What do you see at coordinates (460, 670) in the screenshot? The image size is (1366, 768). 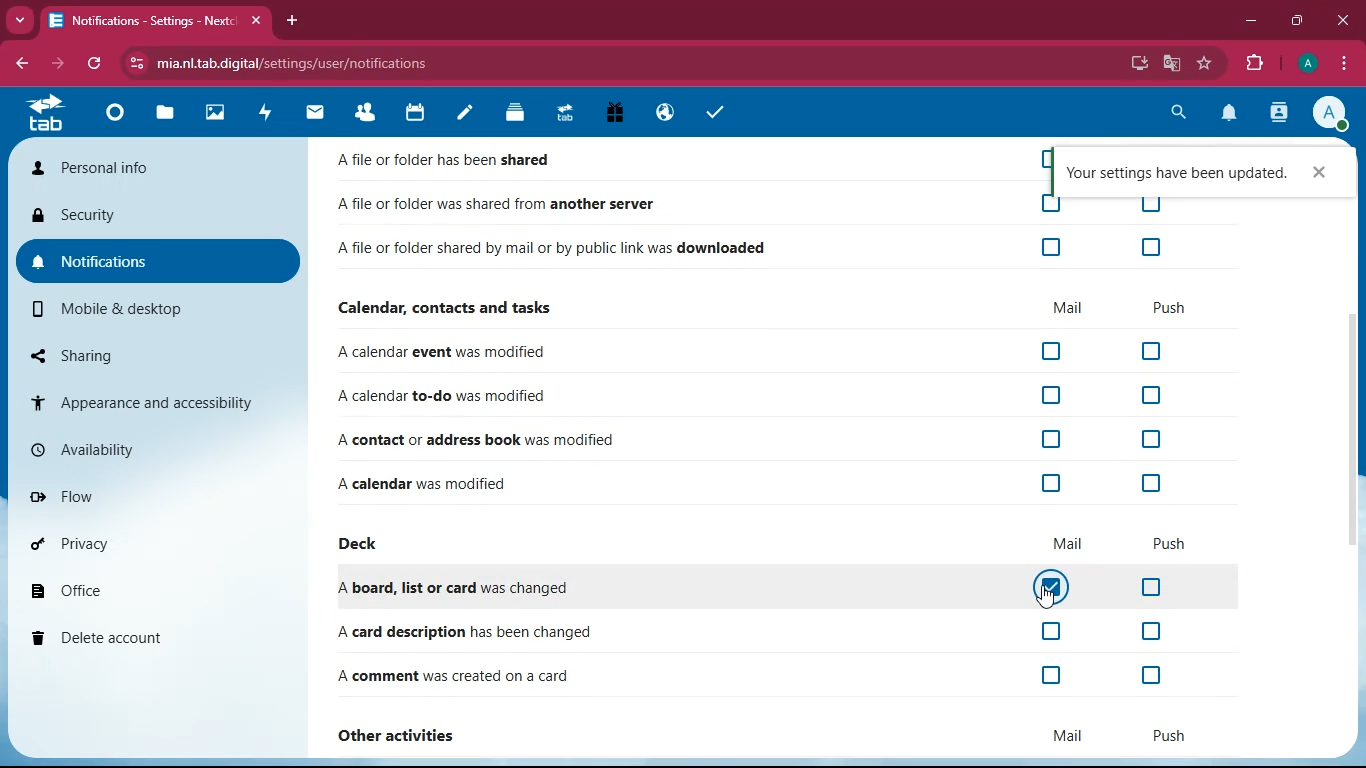 I see `A comment was created on a card` at bounding box center [460, 670].